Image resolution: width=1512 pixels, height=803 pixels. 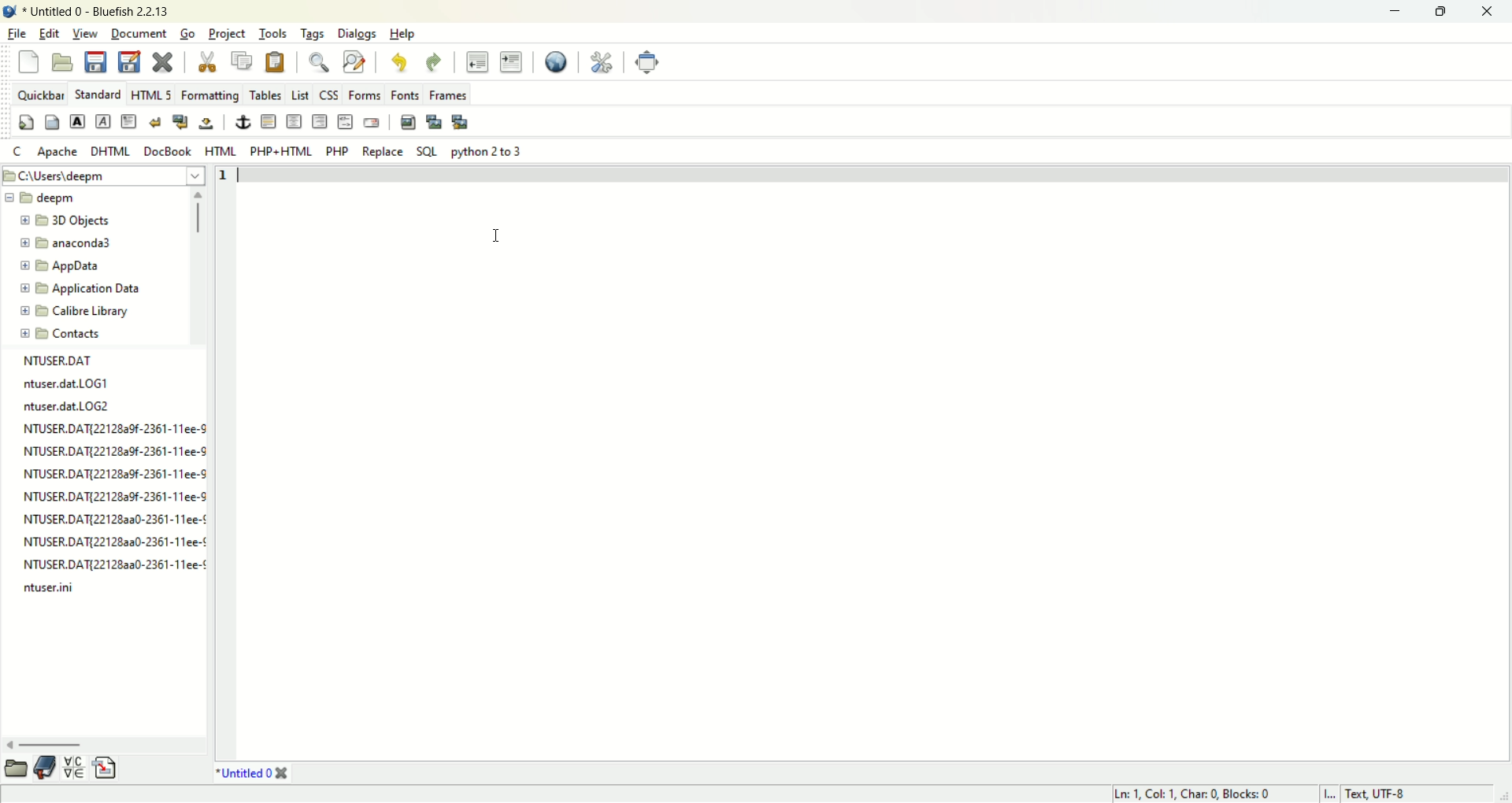 What do you see at coordinates (17, 768) in the screenshot?
I see `browse file` at bounding box center [17, 768].